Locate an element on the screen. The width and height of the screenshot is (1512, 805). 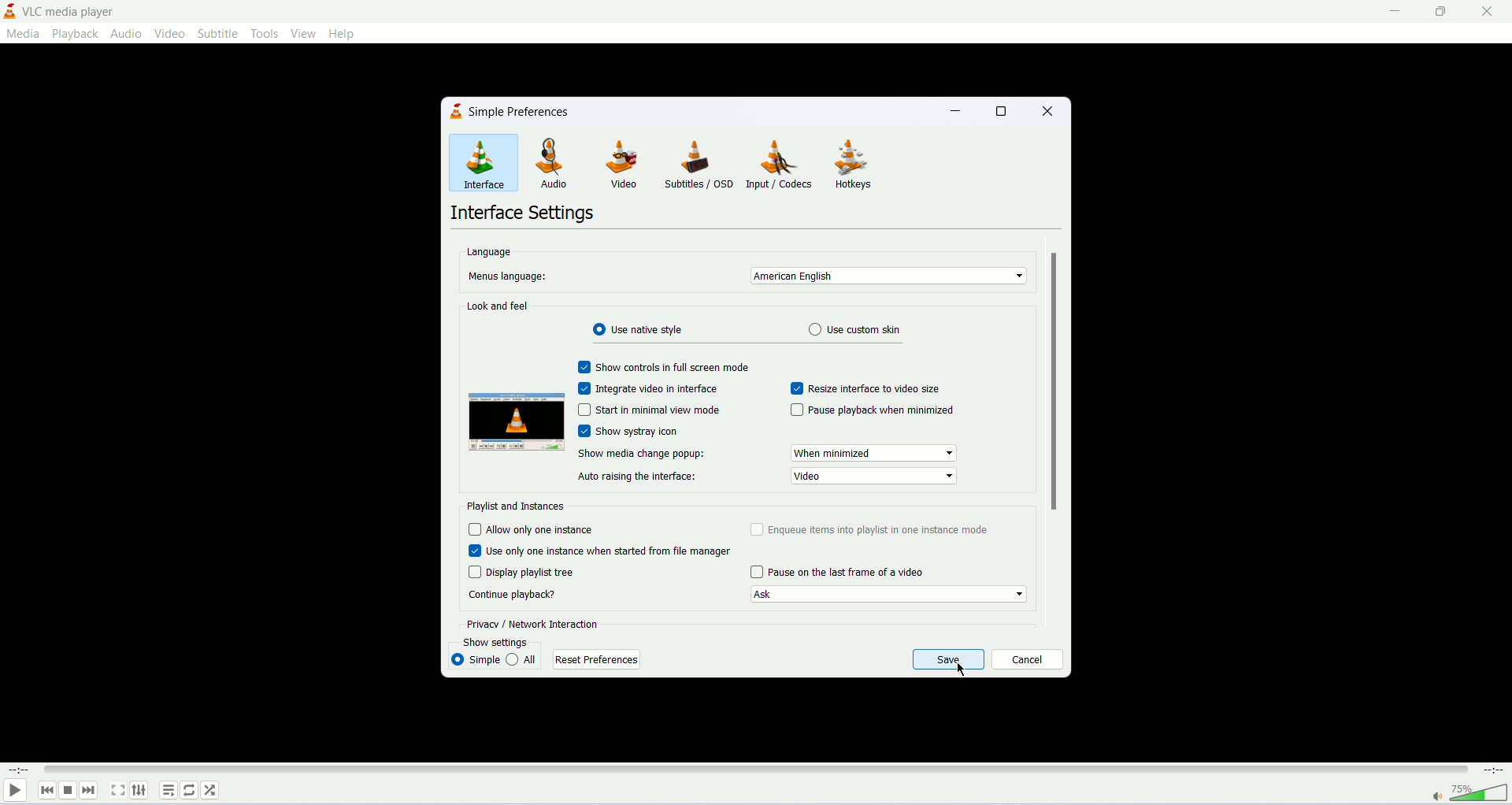
When minimized is located at coordinates (874, 452).